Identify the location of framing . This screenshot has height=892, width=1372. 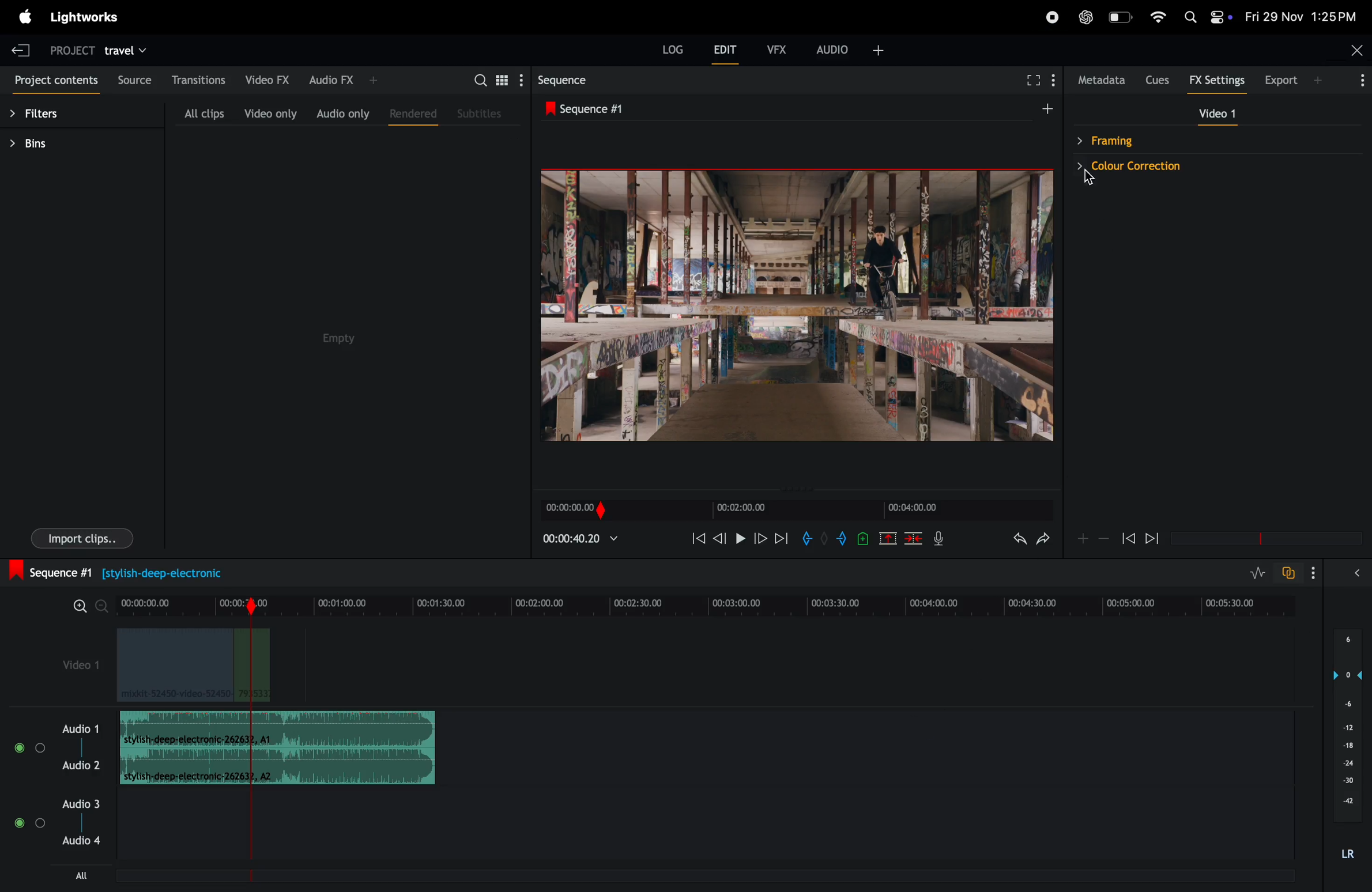
(1162, 141).